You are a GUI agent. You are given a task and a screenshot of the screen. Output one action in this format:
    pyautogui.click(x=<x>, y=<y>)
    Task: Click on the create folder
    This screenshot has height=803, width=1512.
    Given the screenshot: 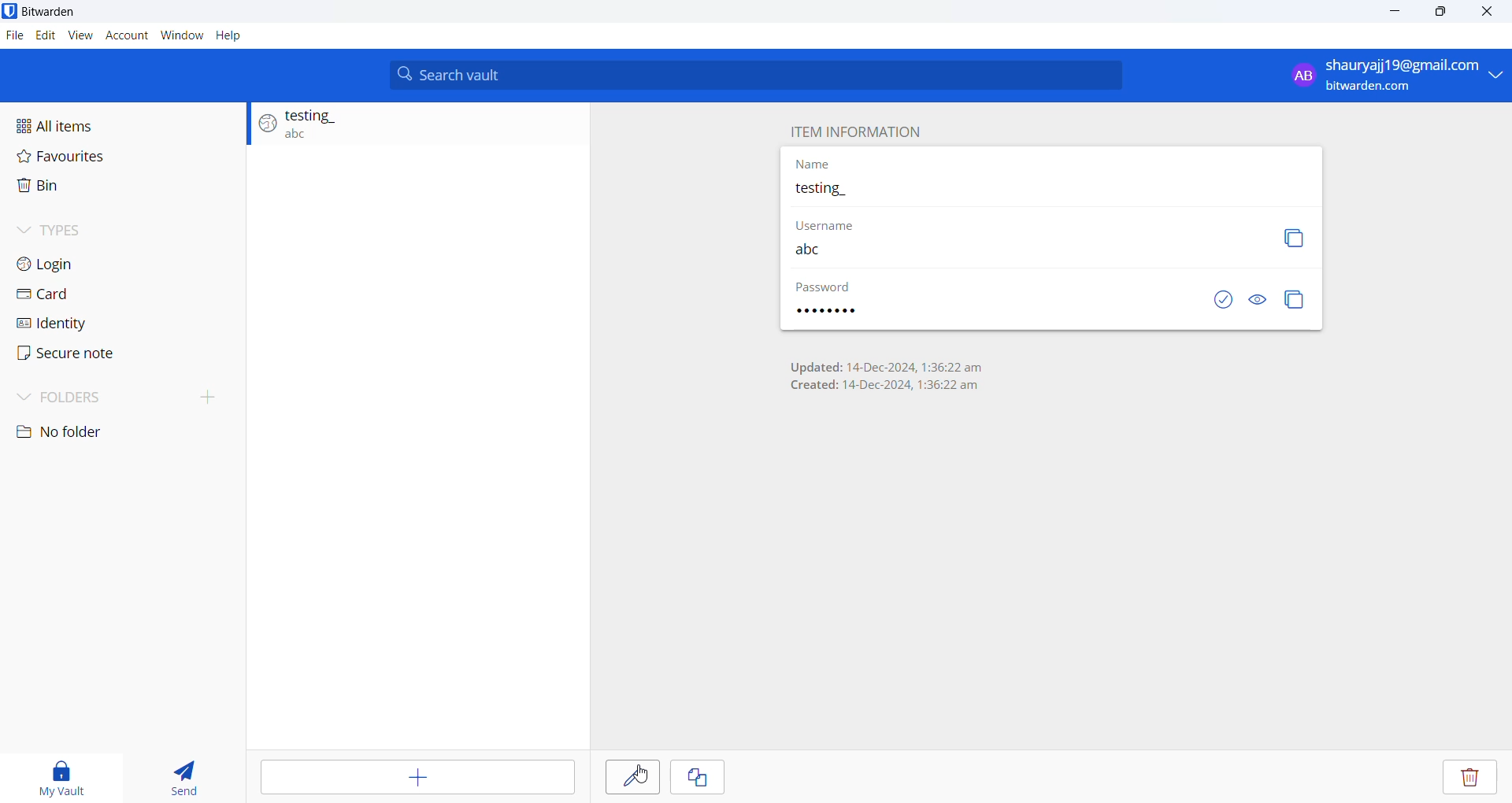 What is the action you would take?
    pyautogui.click(x=214, y=396)
    